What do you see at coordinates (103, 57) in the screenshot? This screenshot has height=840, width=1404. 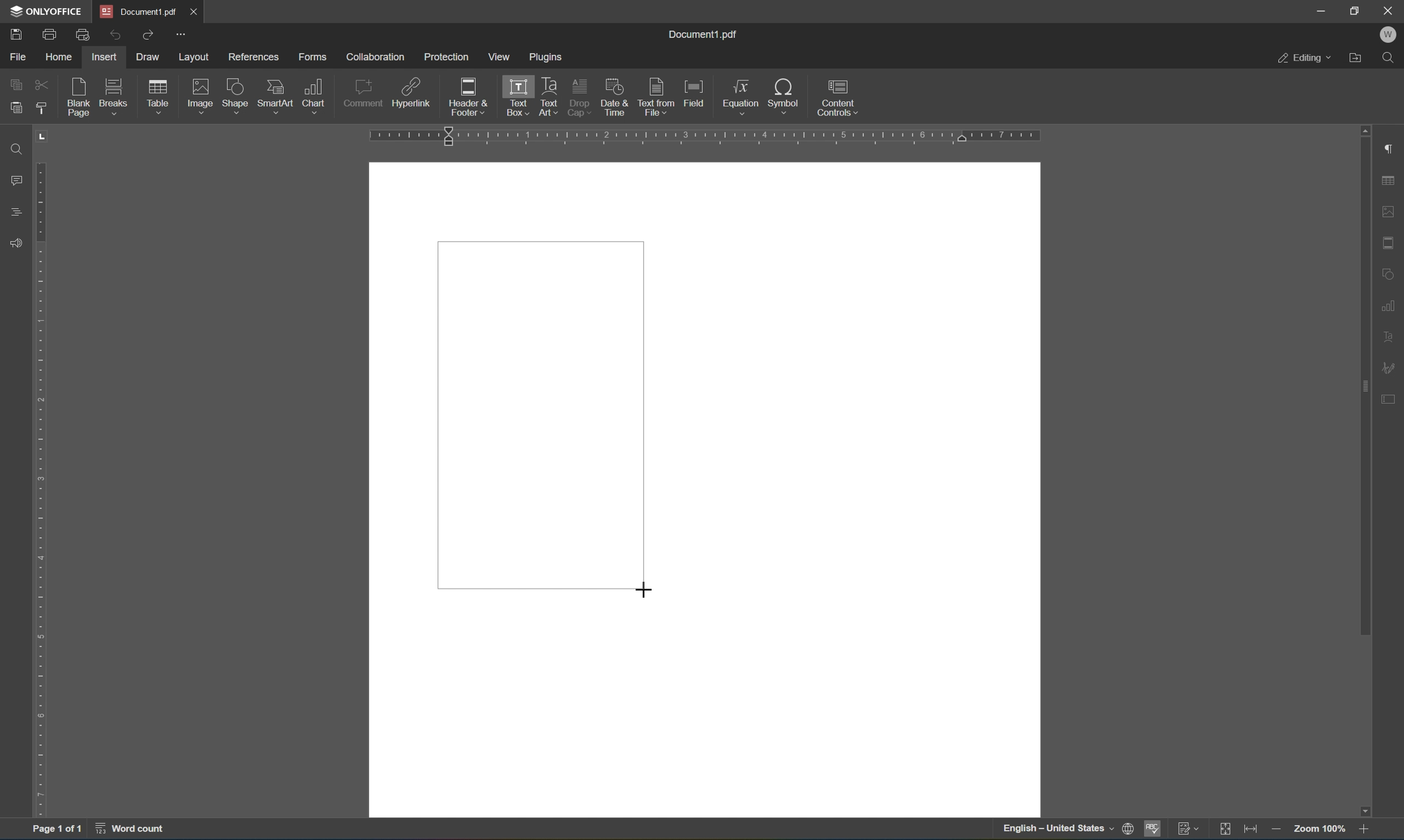 I see `insert` at bounding box center [103, 57].